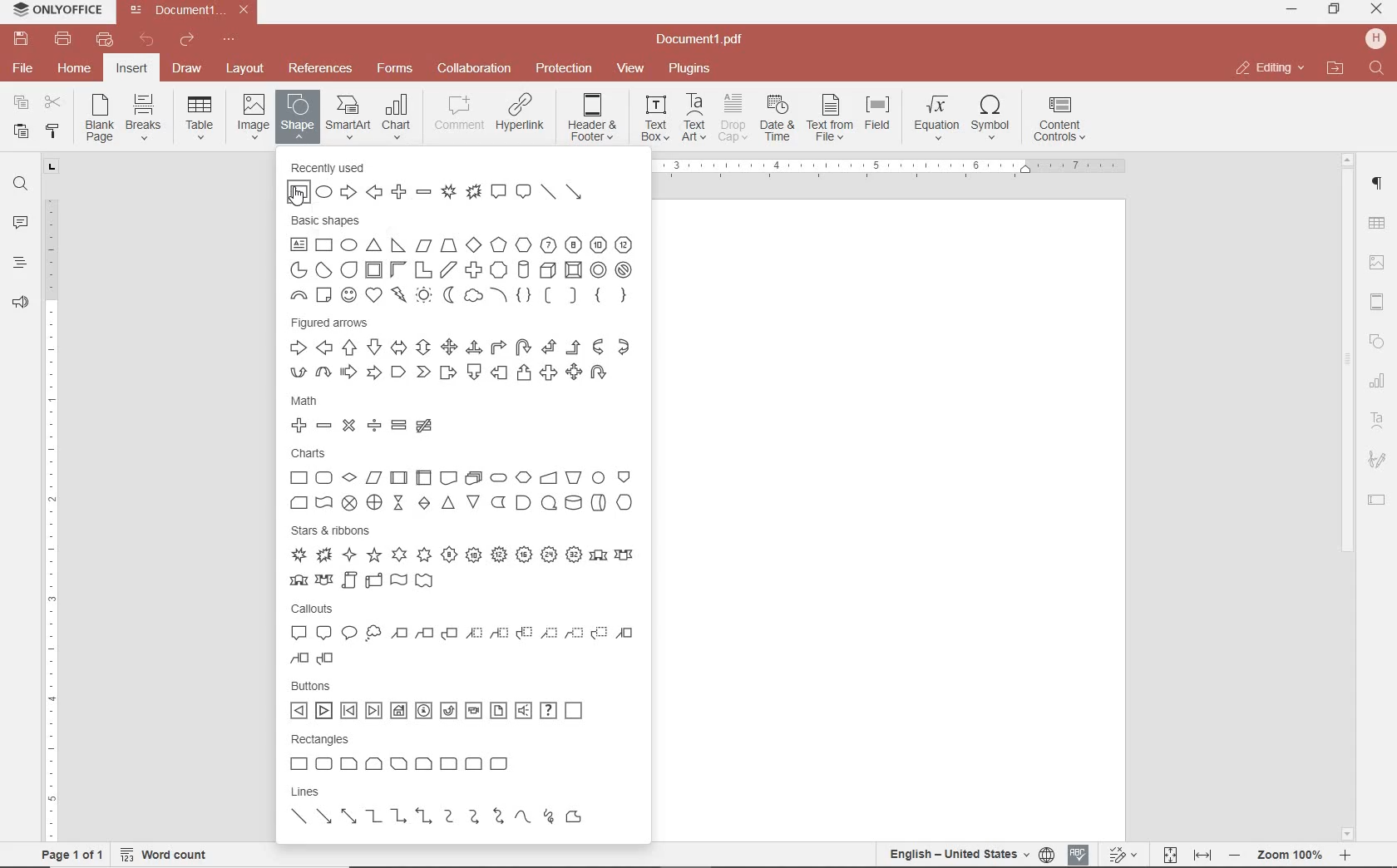 The height and width of the screenshot is (868, 1397). Describe the element at coordinates (1380, 10) in the screenshot. I see `minimize ,restore ,close` at that location.